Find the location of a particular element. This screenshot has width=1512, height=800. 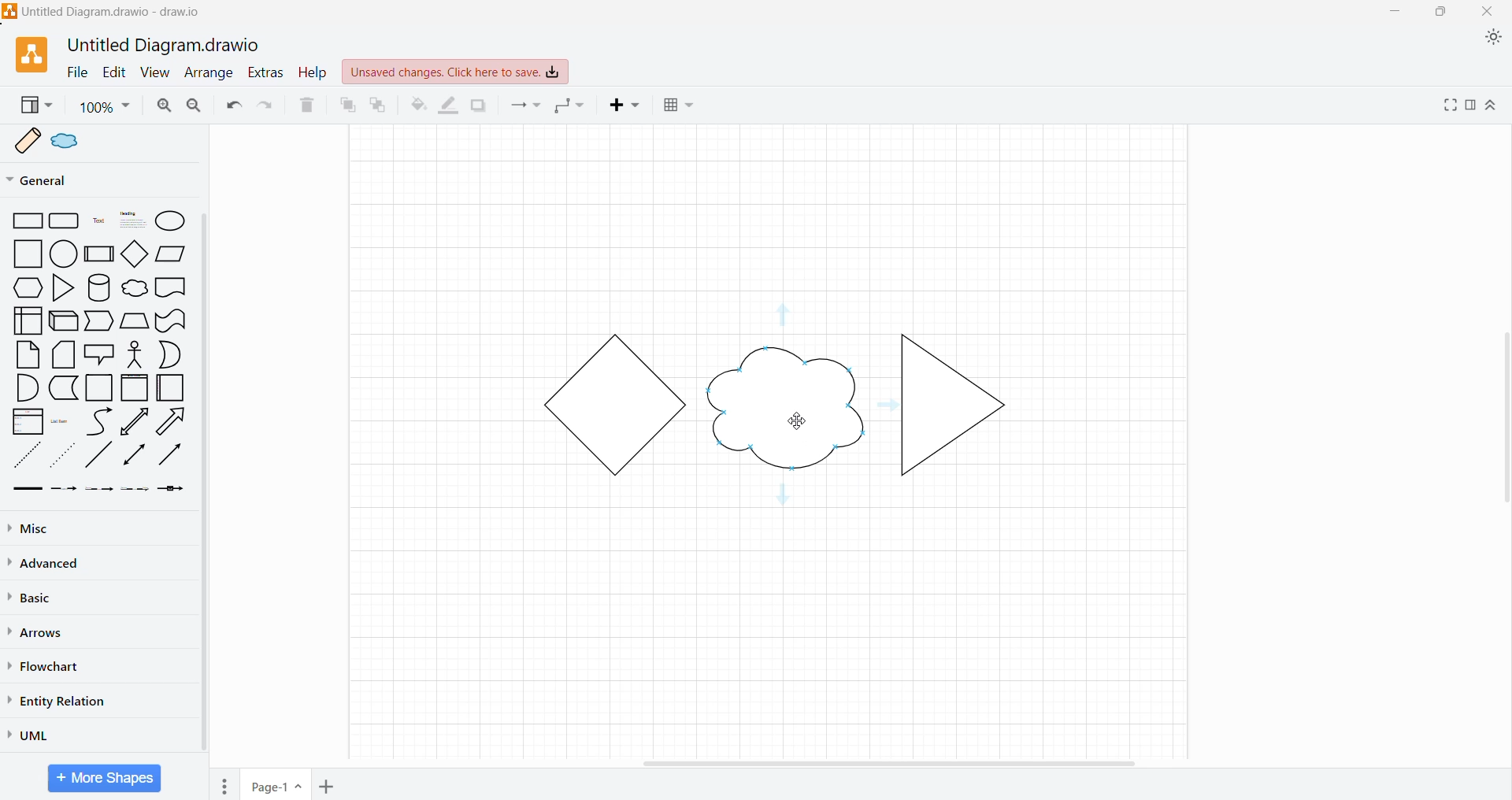

Entity Relation is located at coordinates (67, 701).